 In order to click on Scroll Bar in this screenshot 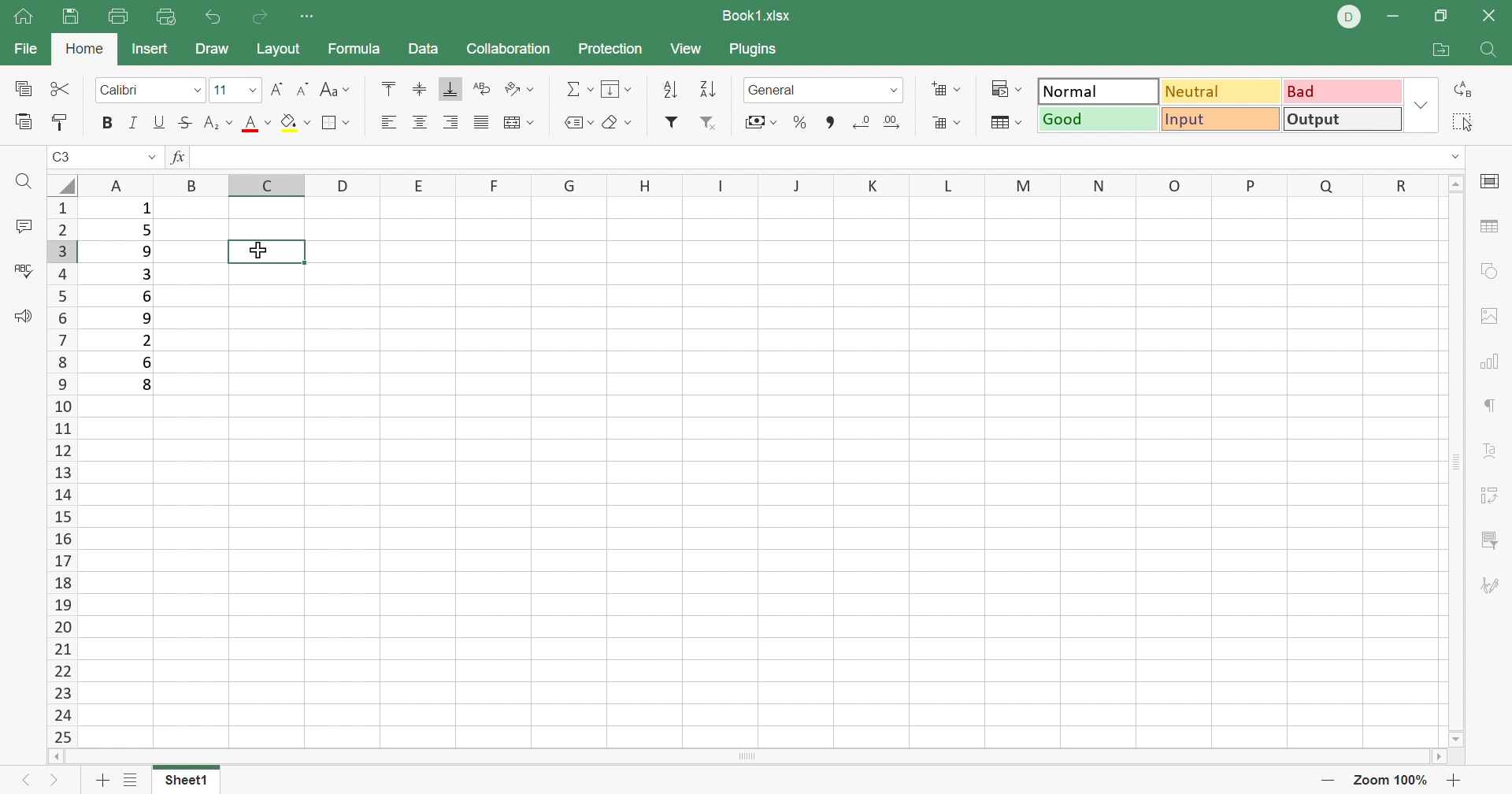, I will do `click(1450, 461)`.